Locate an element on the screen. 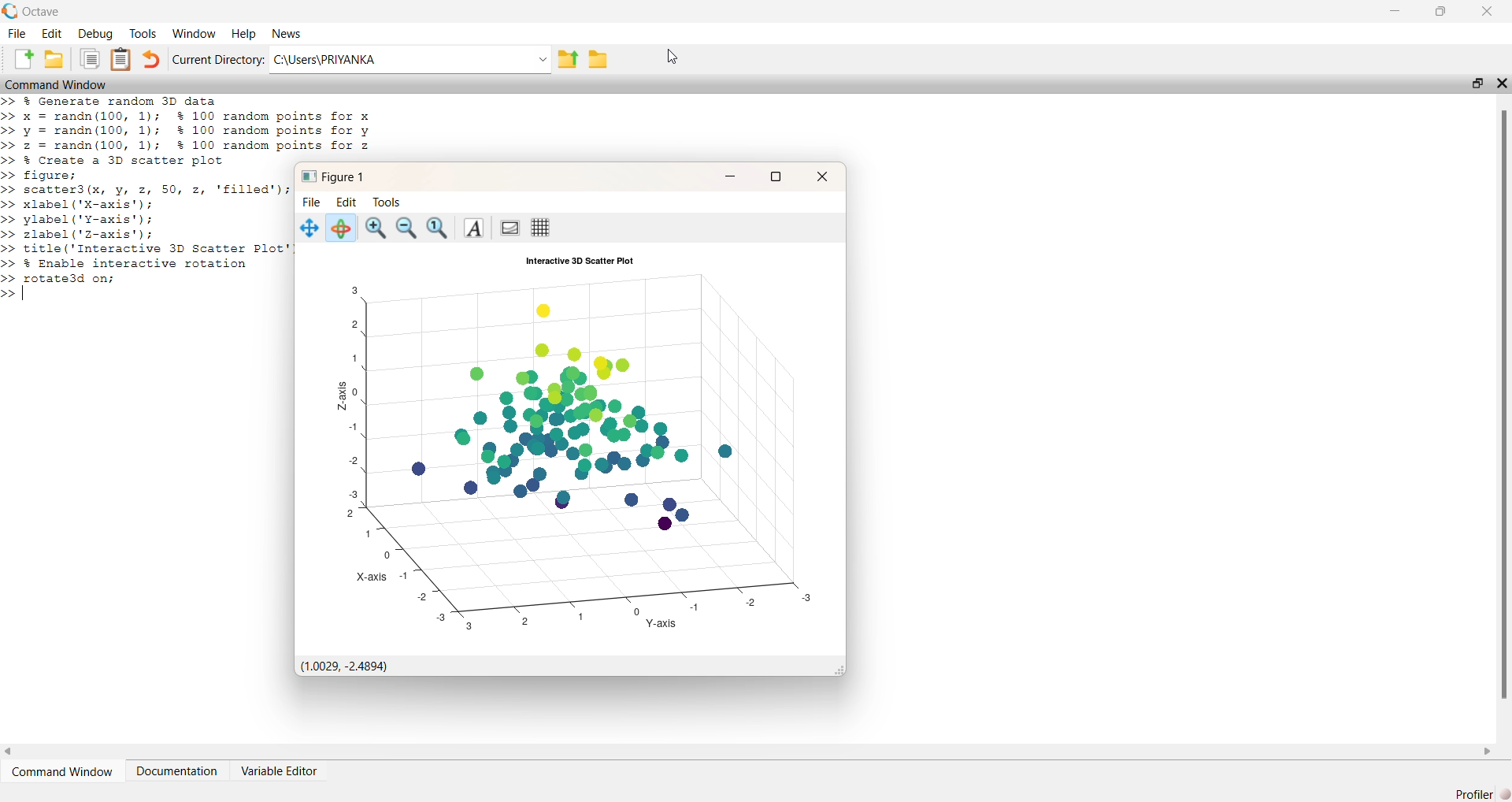  Documentation is located at coordinates (176, 771).